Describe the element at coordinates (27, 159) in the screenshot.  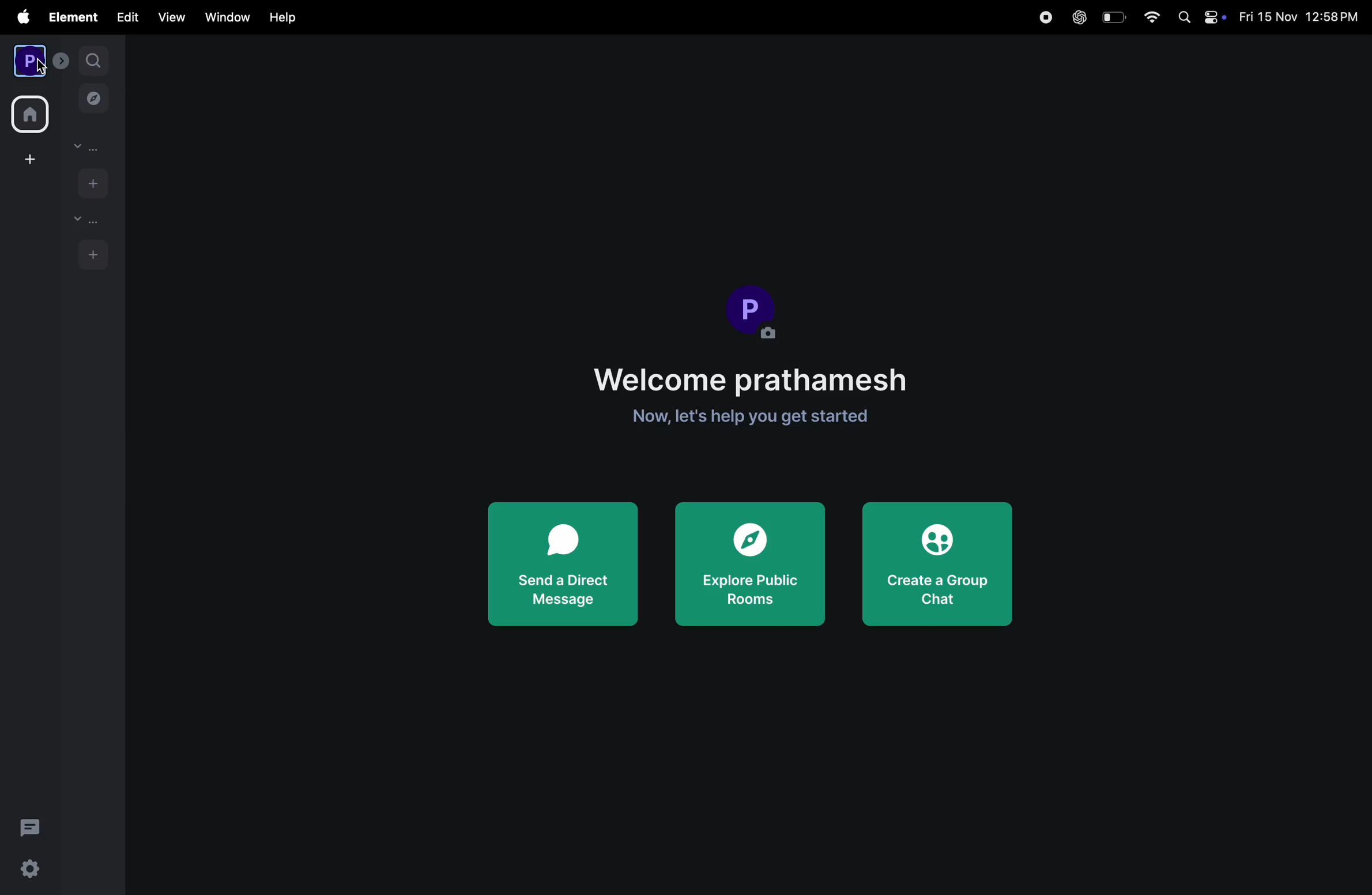
I see `add` at that location.